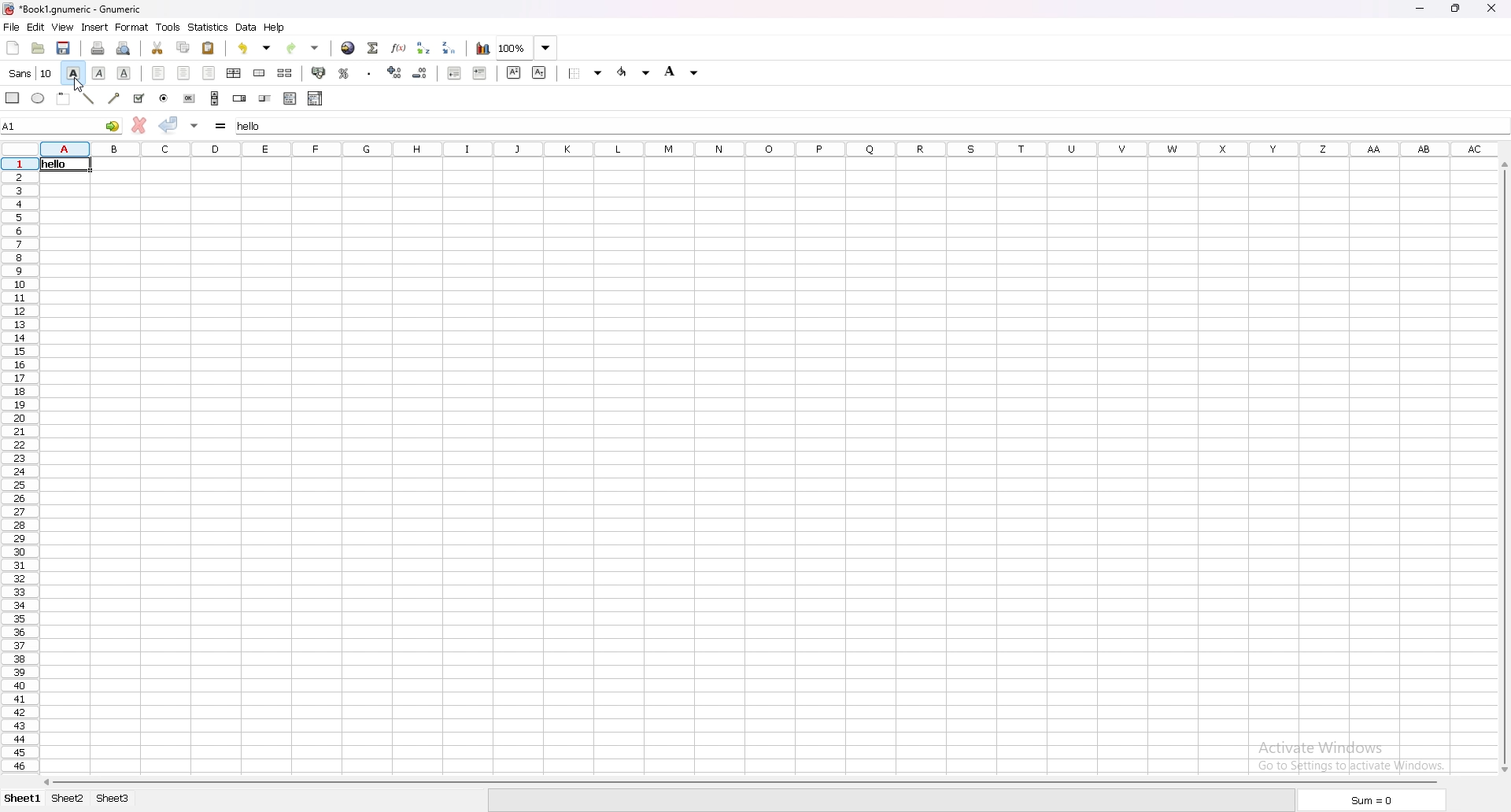  I want to click on underline, so click(124, 75).